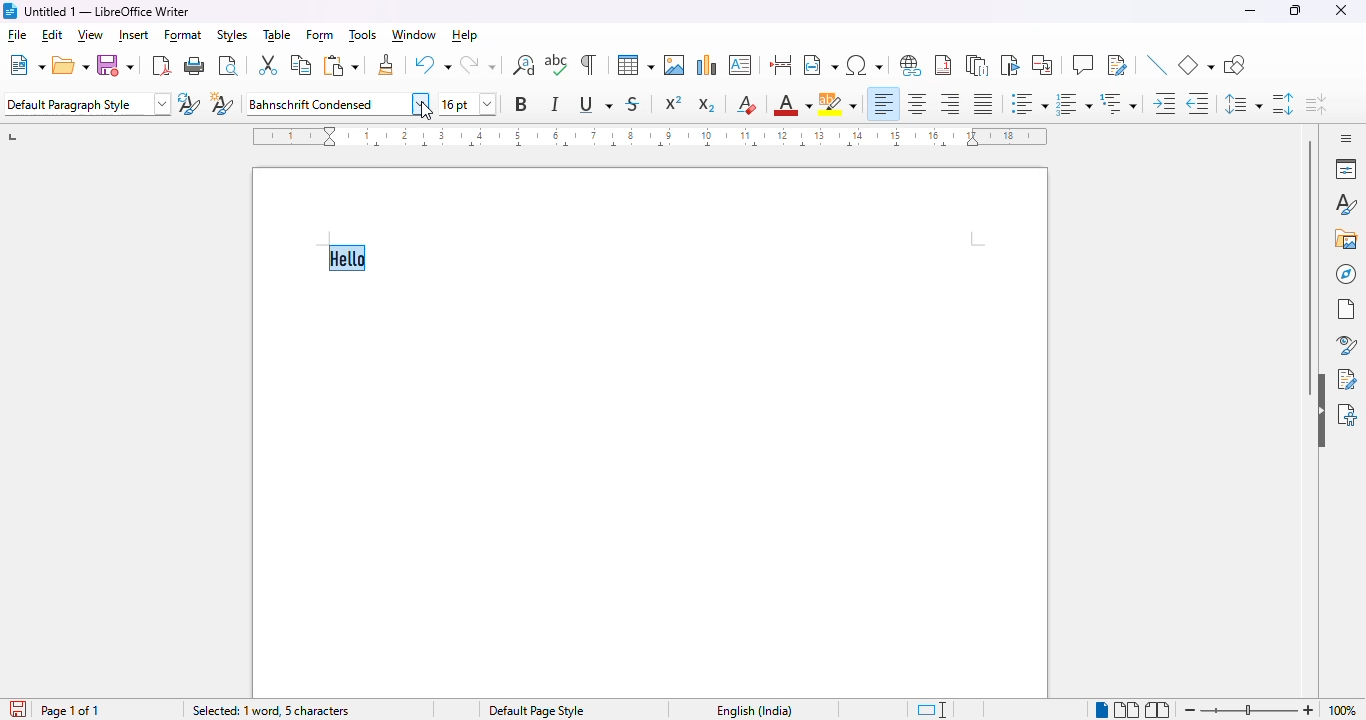  What do you see at coordinates (1343, 138) in the screenshot?
I see `sidebar settings` at bounding box center [1343, 138].